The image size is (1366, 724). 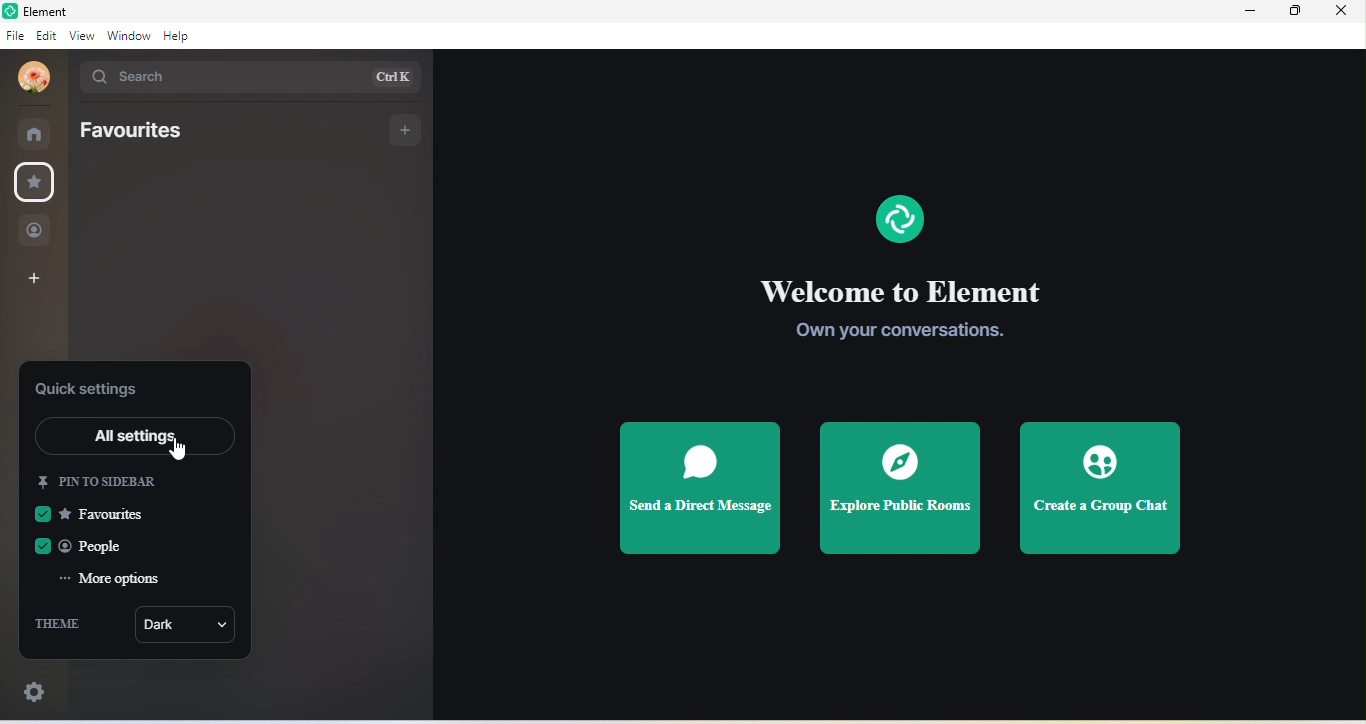 I want to click on window, so click(x=129, y=35).